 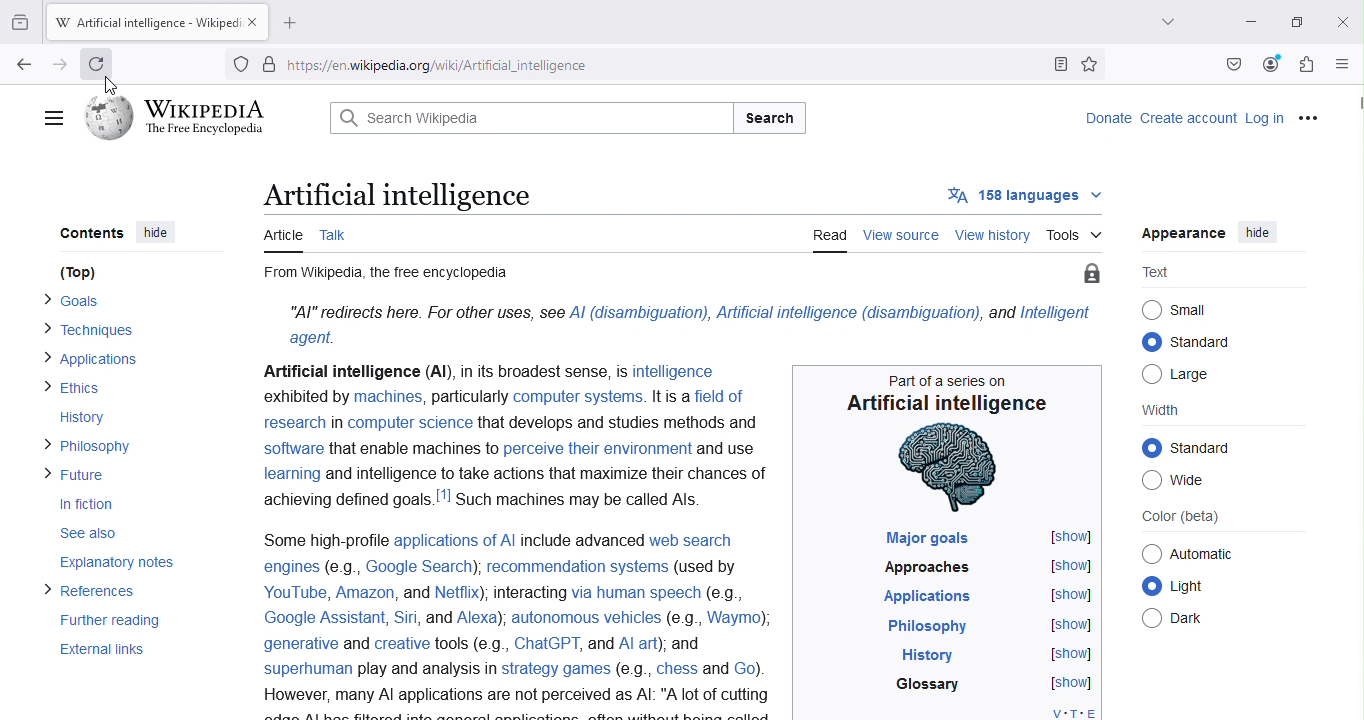 What do you see at coordinates (959, 467) in the screenshot?
I see `human brain` at bounding box center [959, 467].